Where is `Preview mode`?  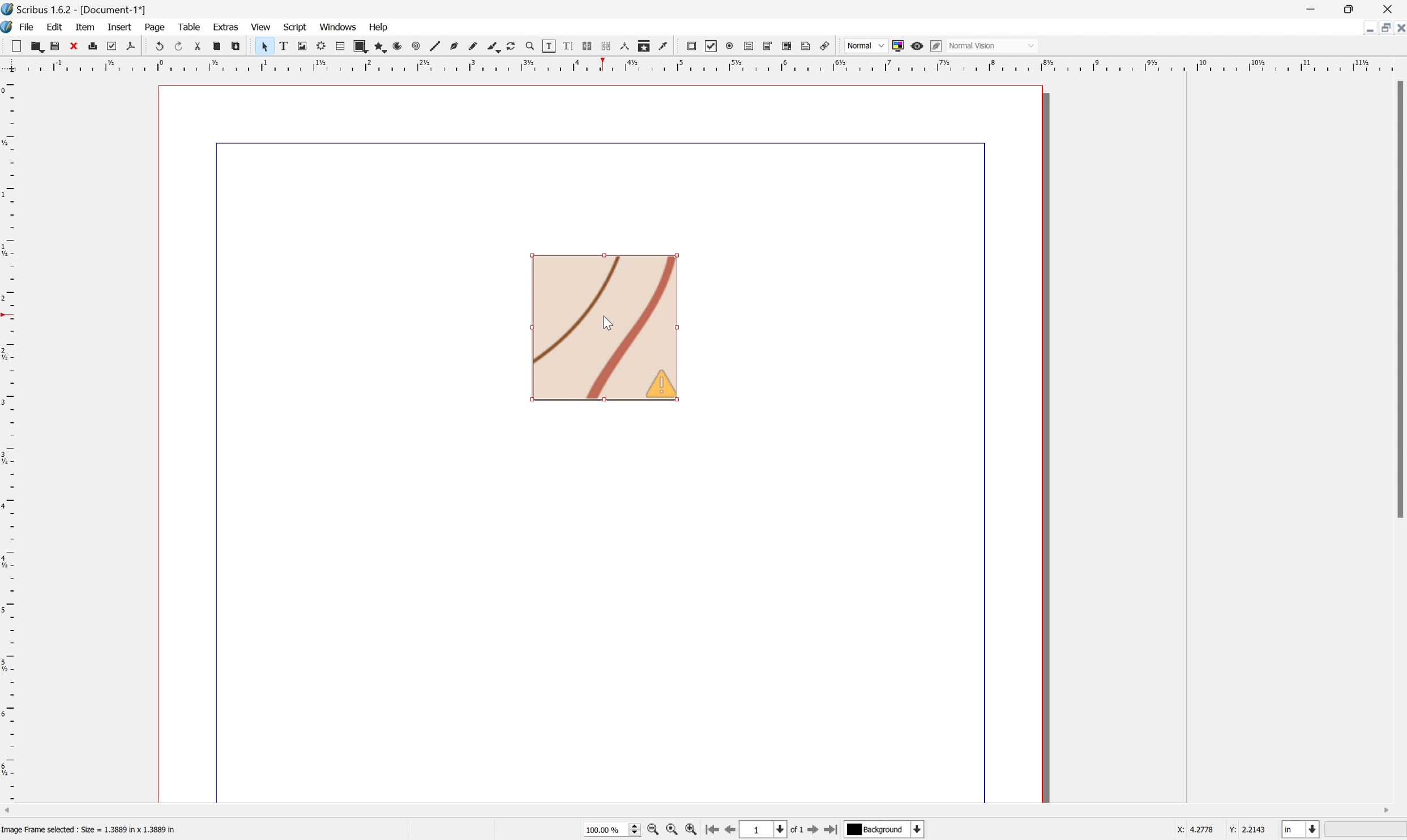
Preview mode is located at coordinates (917, 46).